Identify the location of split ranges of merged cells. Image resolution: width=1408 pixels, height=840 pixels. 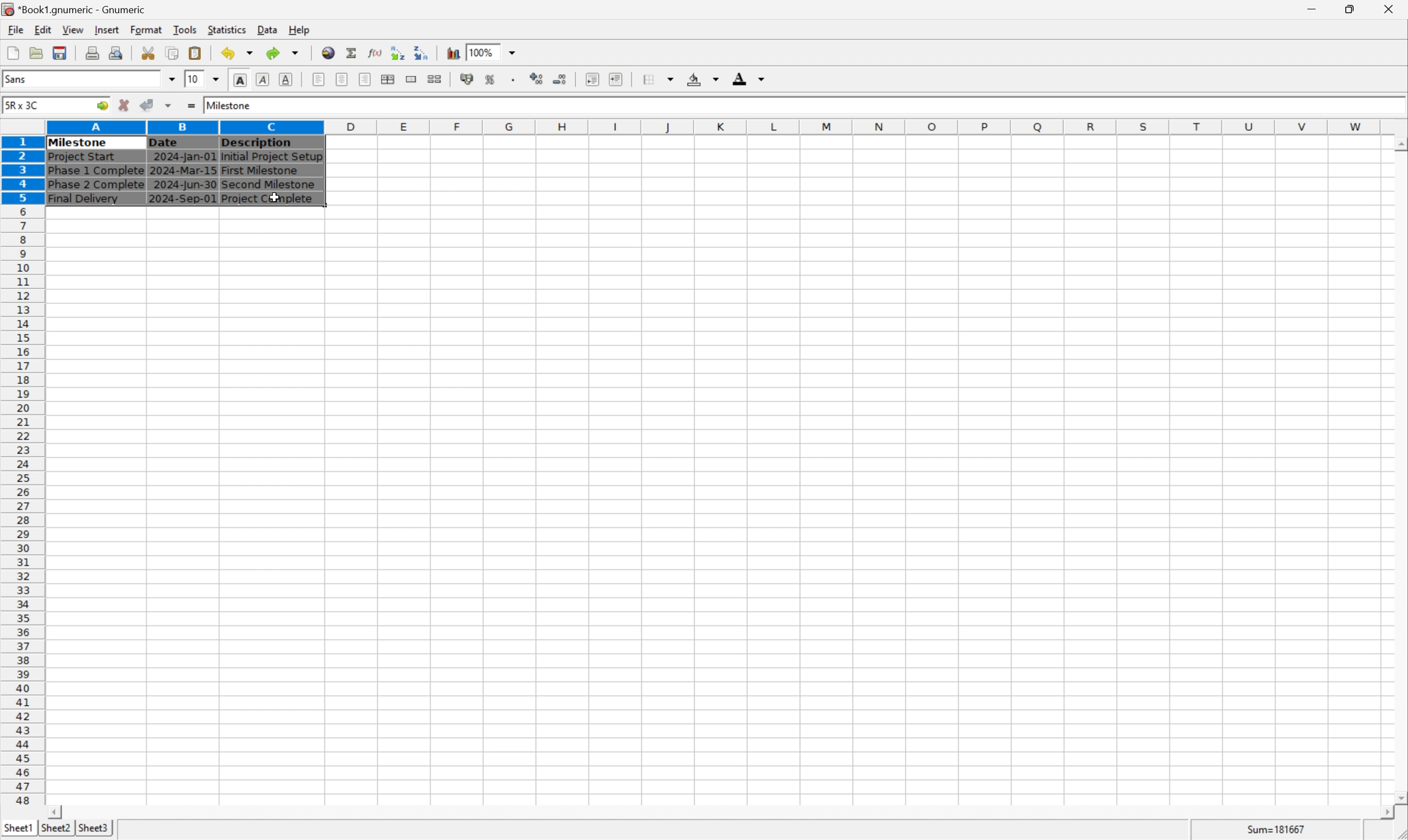
(435, 79).